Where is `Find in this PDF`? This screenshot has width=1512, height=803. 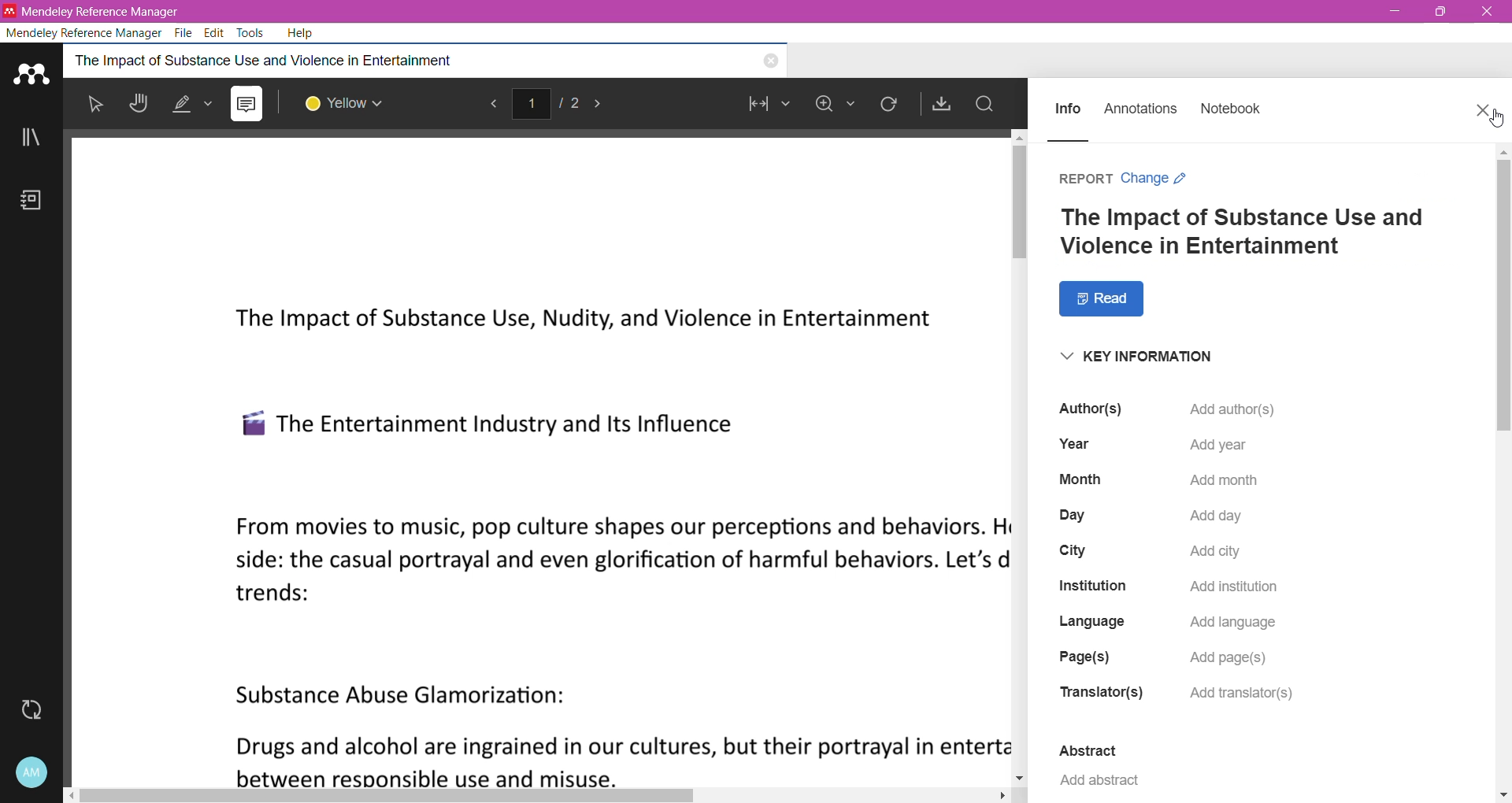
Find in this PDF is located at coordinates (984, 105).